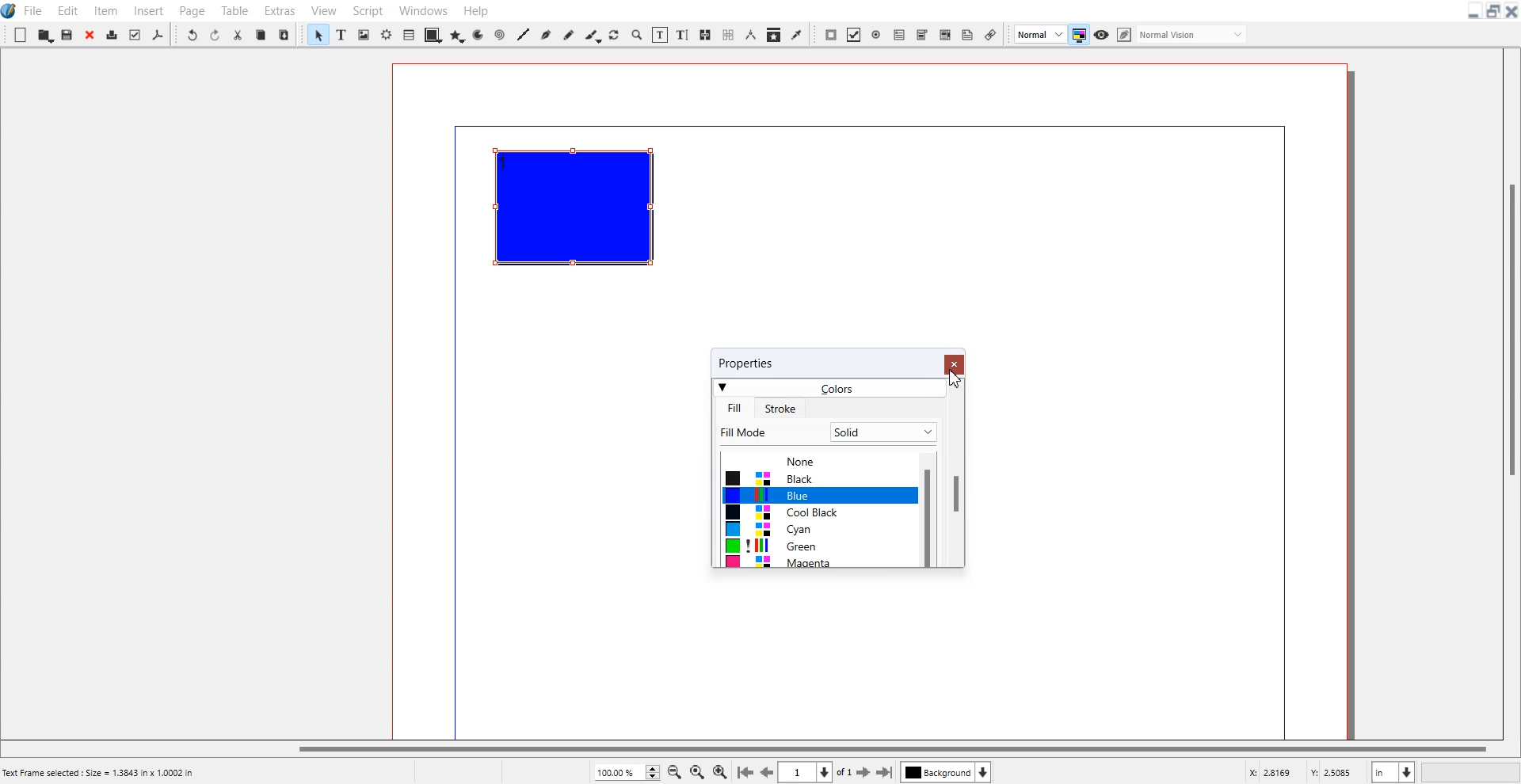 The height and width of the screenshot is (784, 1521). What do you see at coordinates (1078, 34) in the screenshot?
I see `Toggler mode` at bounding box center [1078, 34].